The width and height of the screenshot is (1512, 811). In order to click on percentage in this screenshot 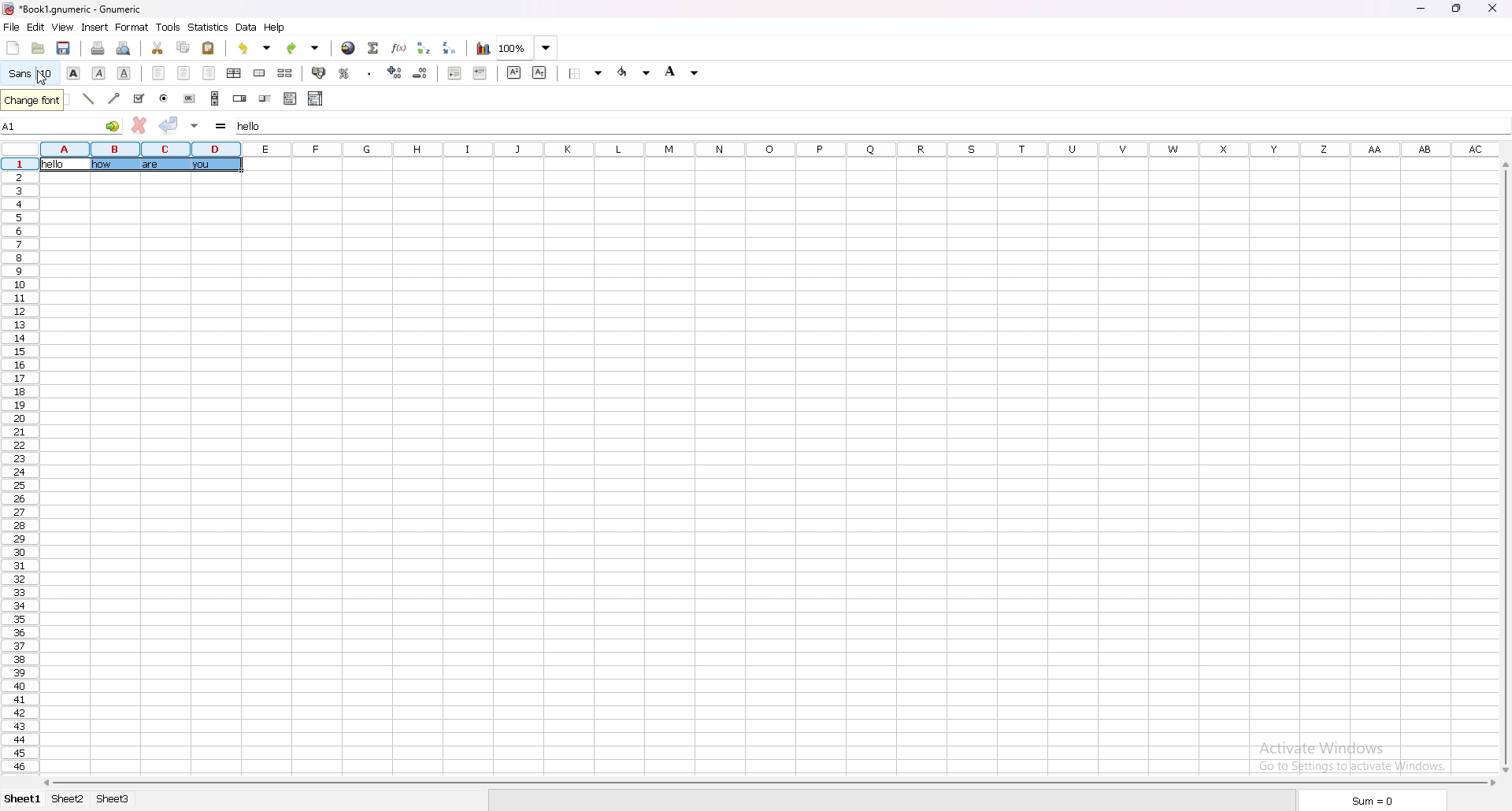, I will do `click(346, 72)`.